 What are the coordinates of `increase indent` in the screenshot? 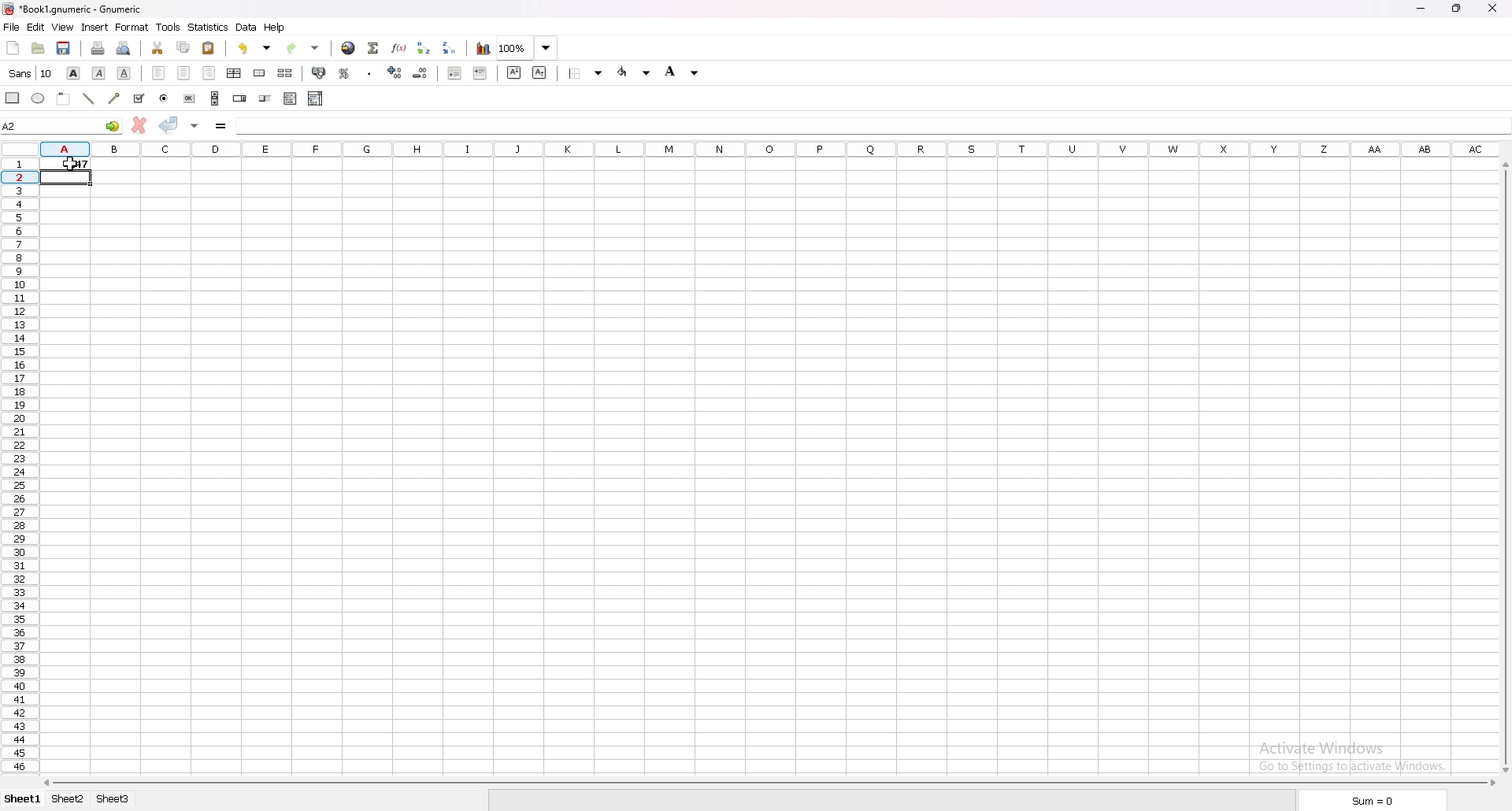 It's located at (480, 72).